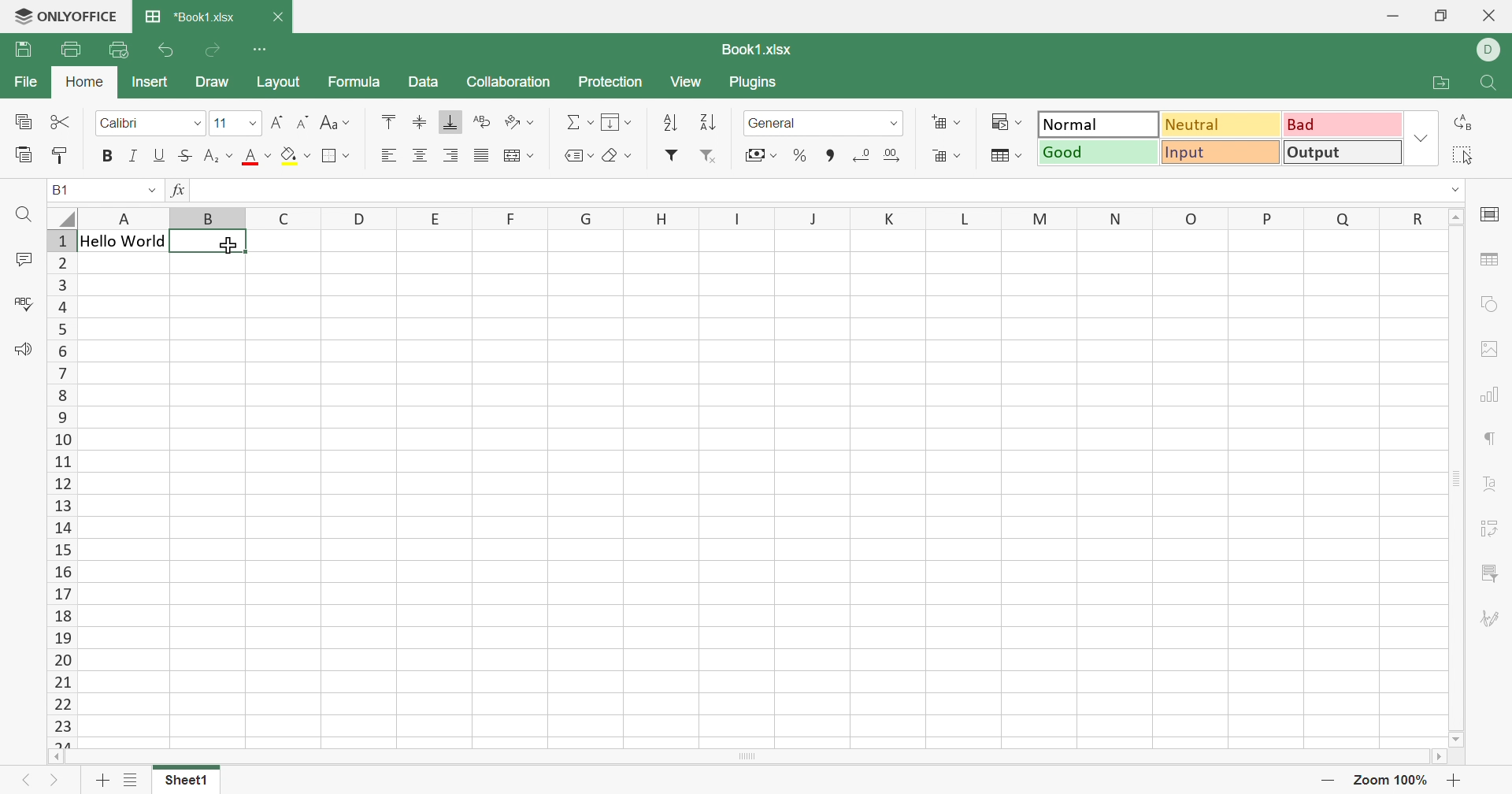 Image resolution: width=1512 pixels, height=794 pixels. Describe the element at coordinates (272, 80) in the screenshot. I see `Layout` at that location.